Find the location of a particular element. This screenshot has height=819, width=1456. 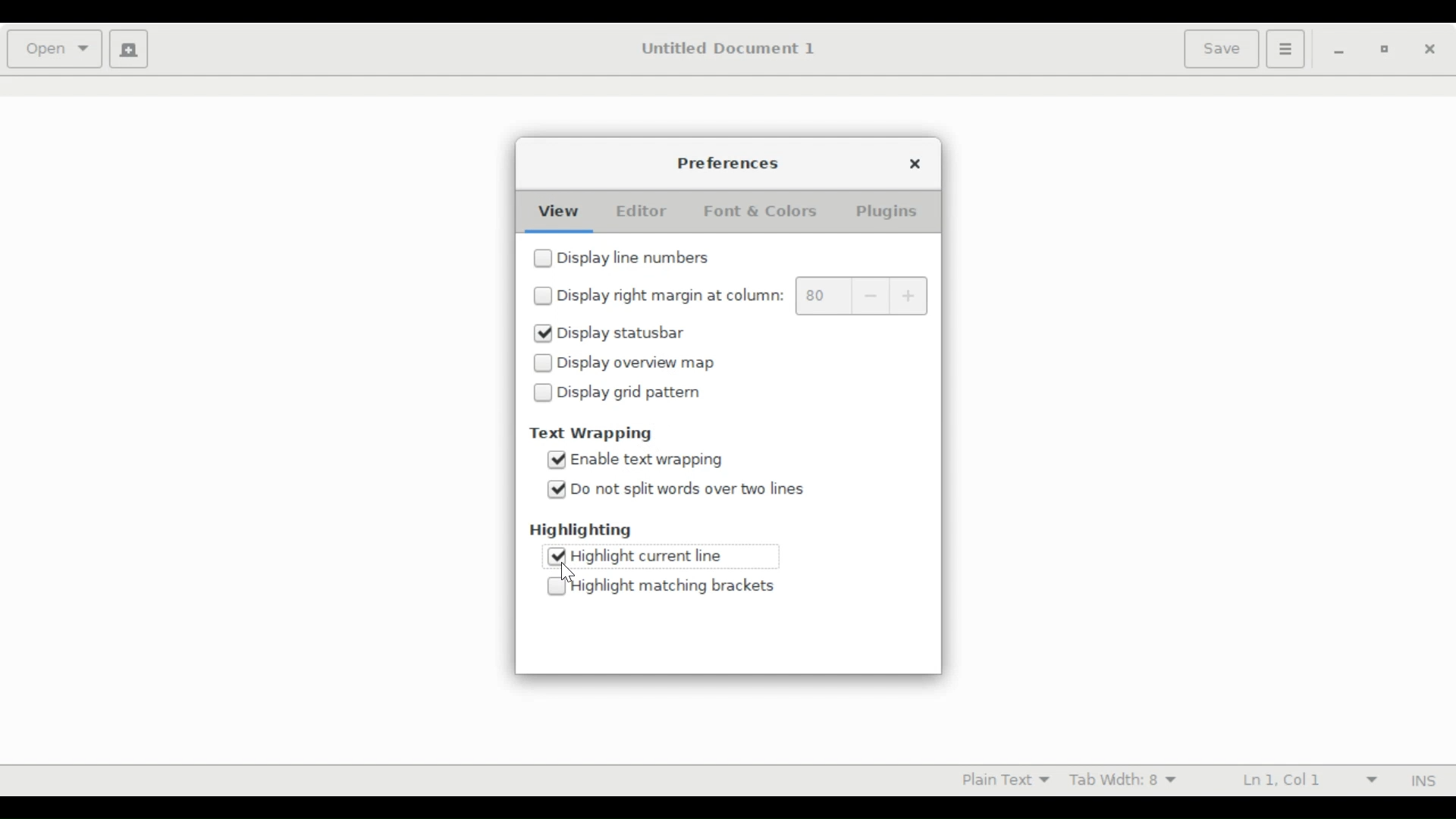

Do not split words over two lines is located at coordinates (689, 488).